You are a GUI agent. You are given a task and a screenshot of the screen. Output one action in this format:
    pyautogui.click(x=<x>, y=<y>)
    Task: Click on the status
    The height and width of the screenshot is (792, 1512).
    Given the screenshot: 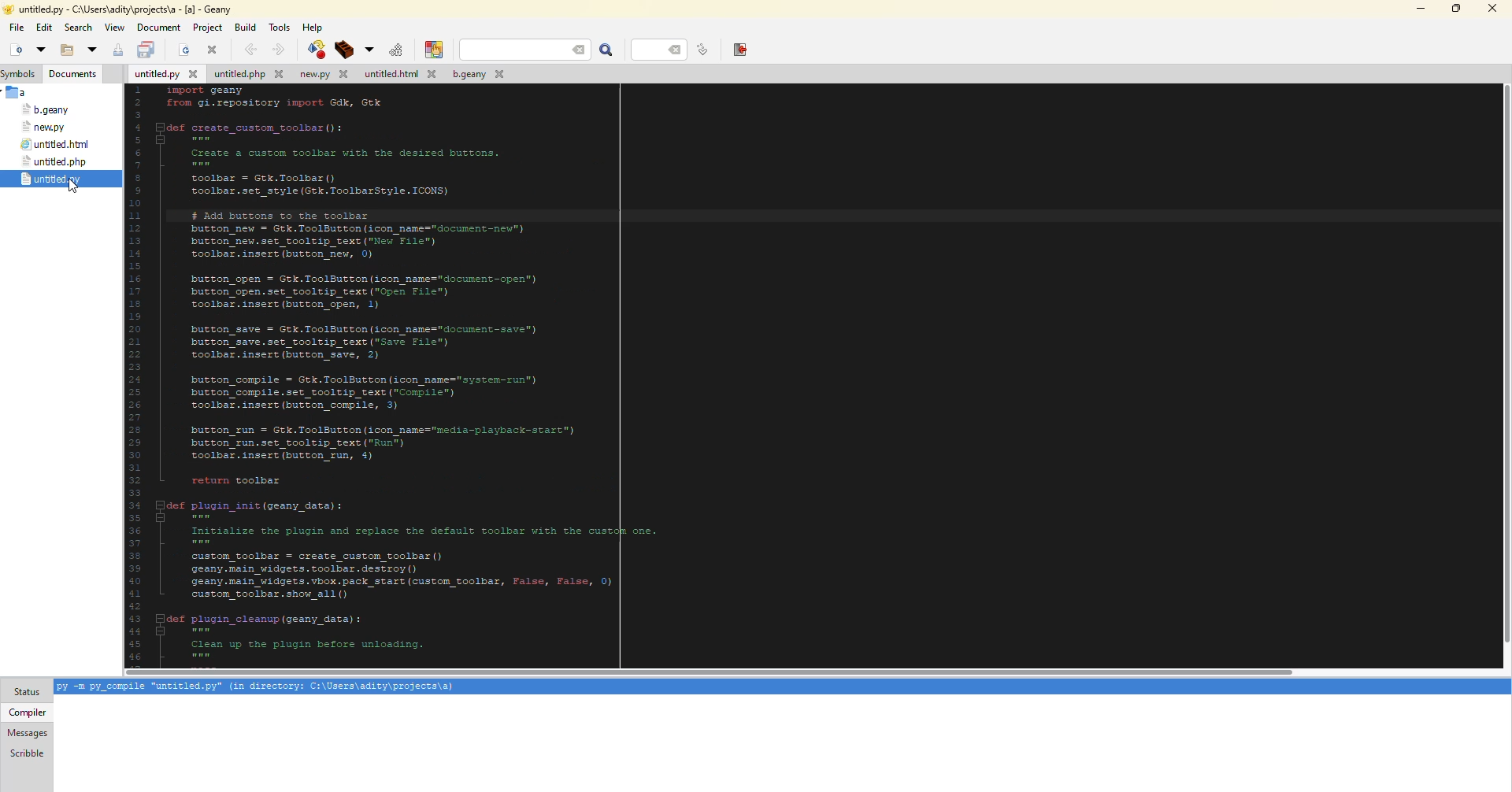 What is the action you would take?
    pyautogui.click(x=27, y=692)
    